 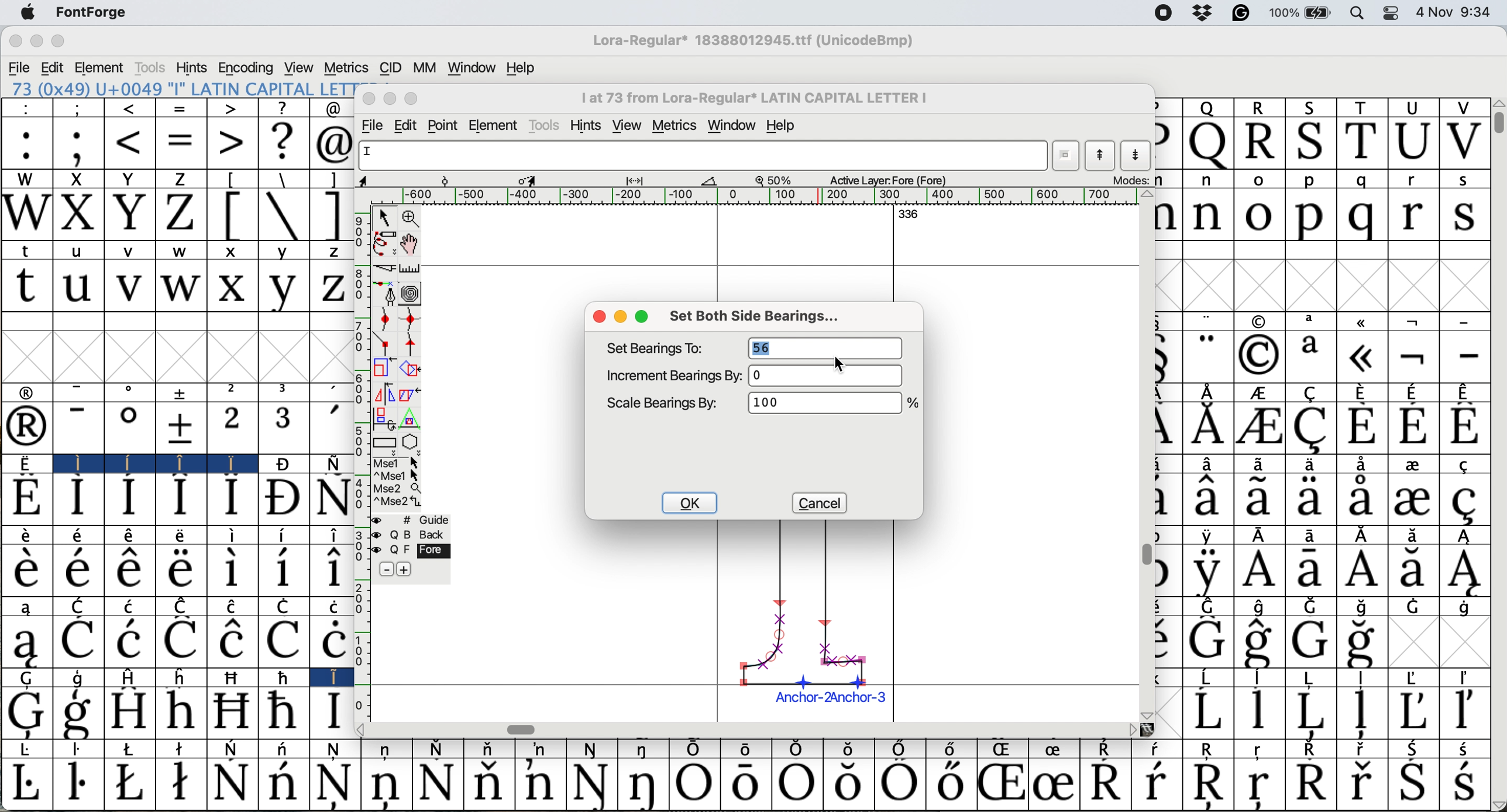 I want to click on r, so click(x=1412, y=215).